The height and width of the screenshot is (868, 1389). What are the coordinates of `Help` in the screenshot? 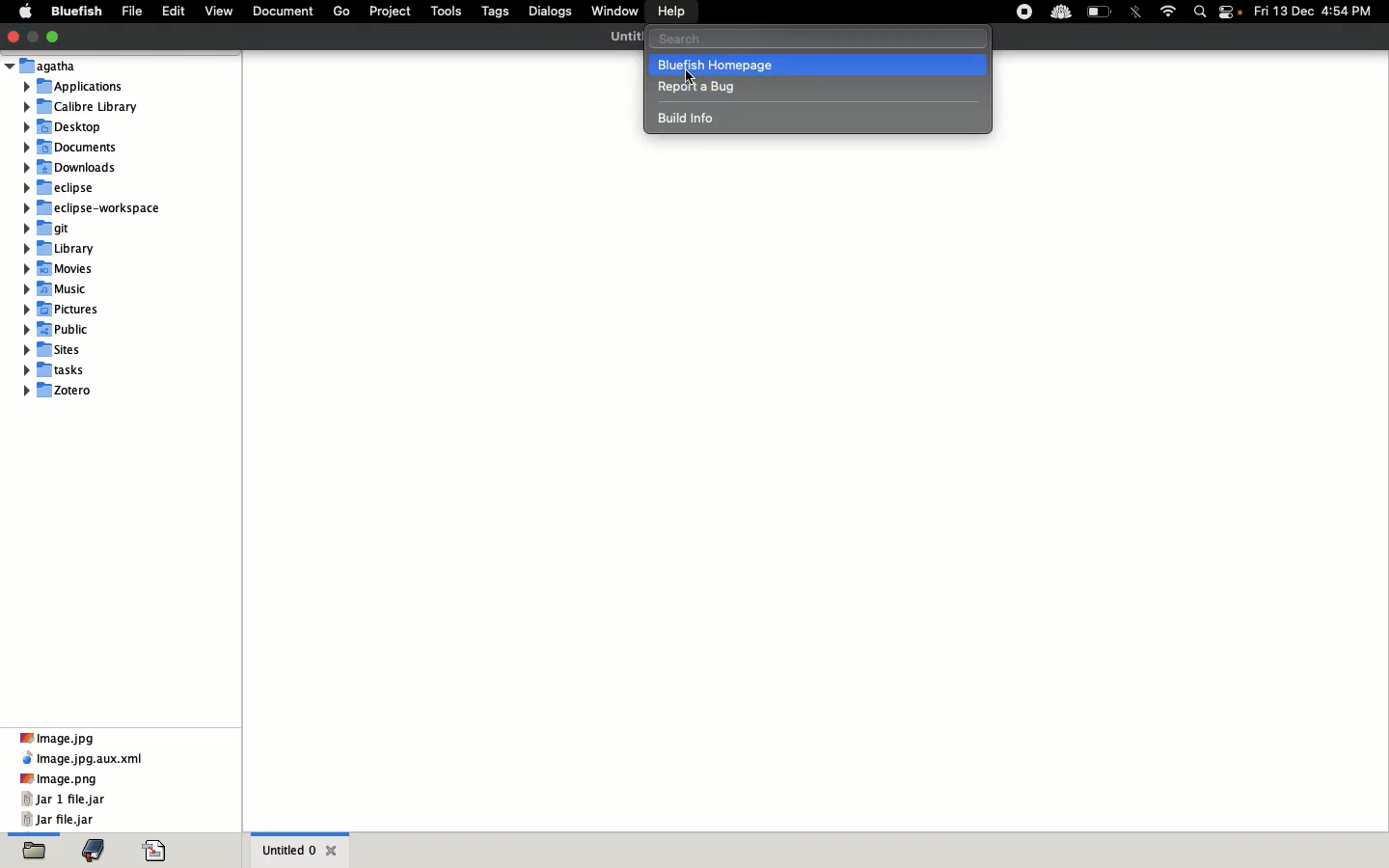 It's located at (672, 10).